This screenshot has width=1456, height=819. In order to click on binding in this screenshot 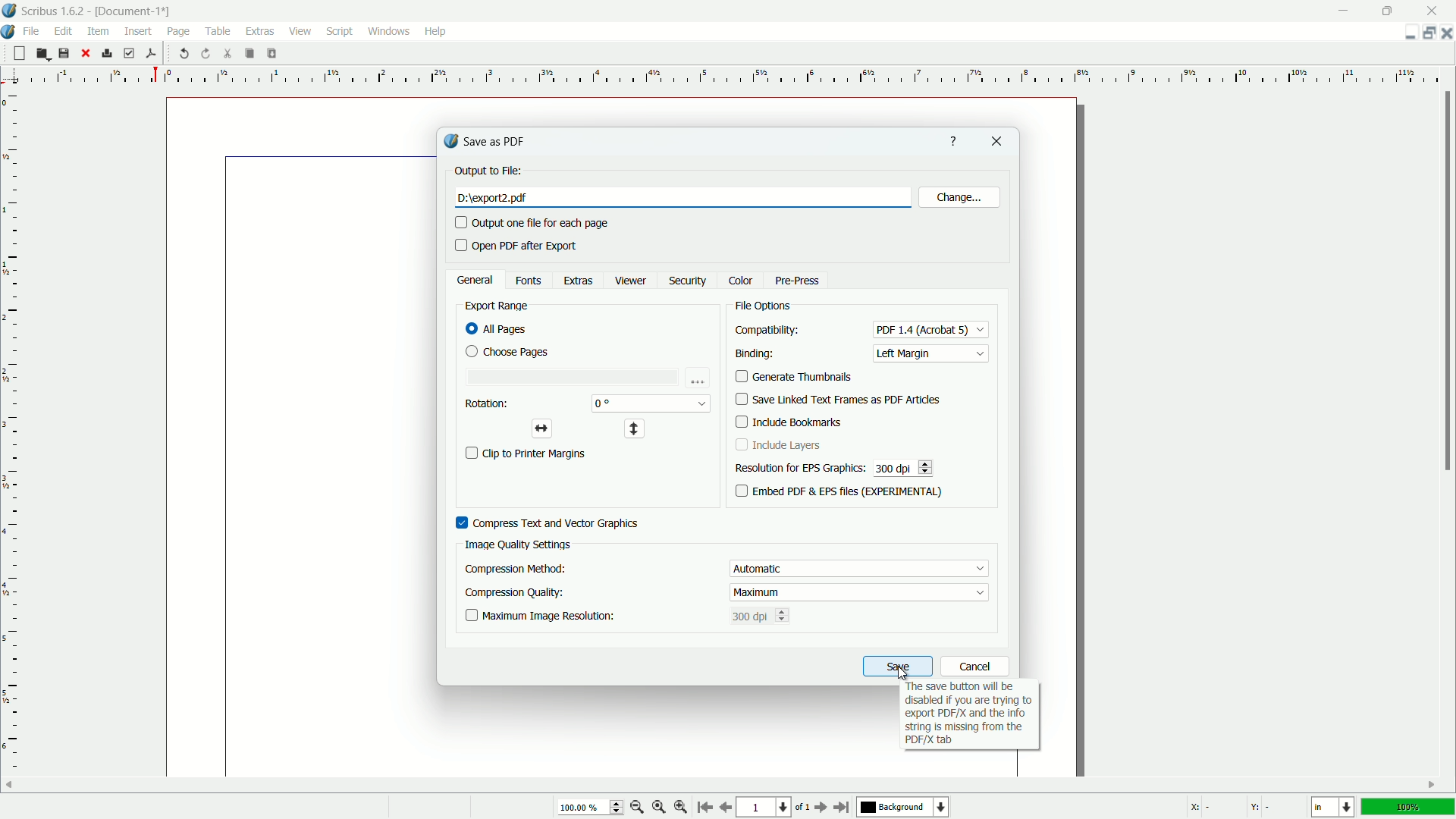, I will do `click(755, 354)`.